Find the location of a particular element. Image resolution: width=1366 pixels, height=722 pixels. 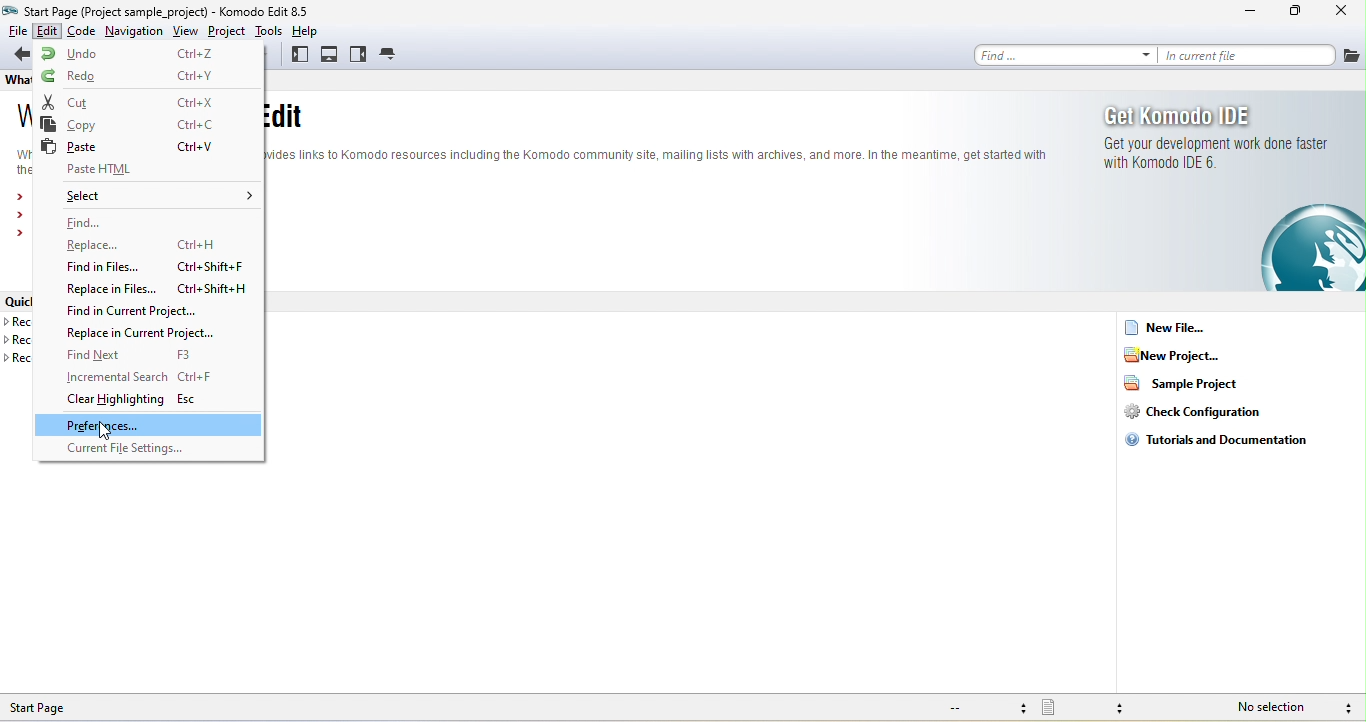

close is located at coordinates (1338, 11).